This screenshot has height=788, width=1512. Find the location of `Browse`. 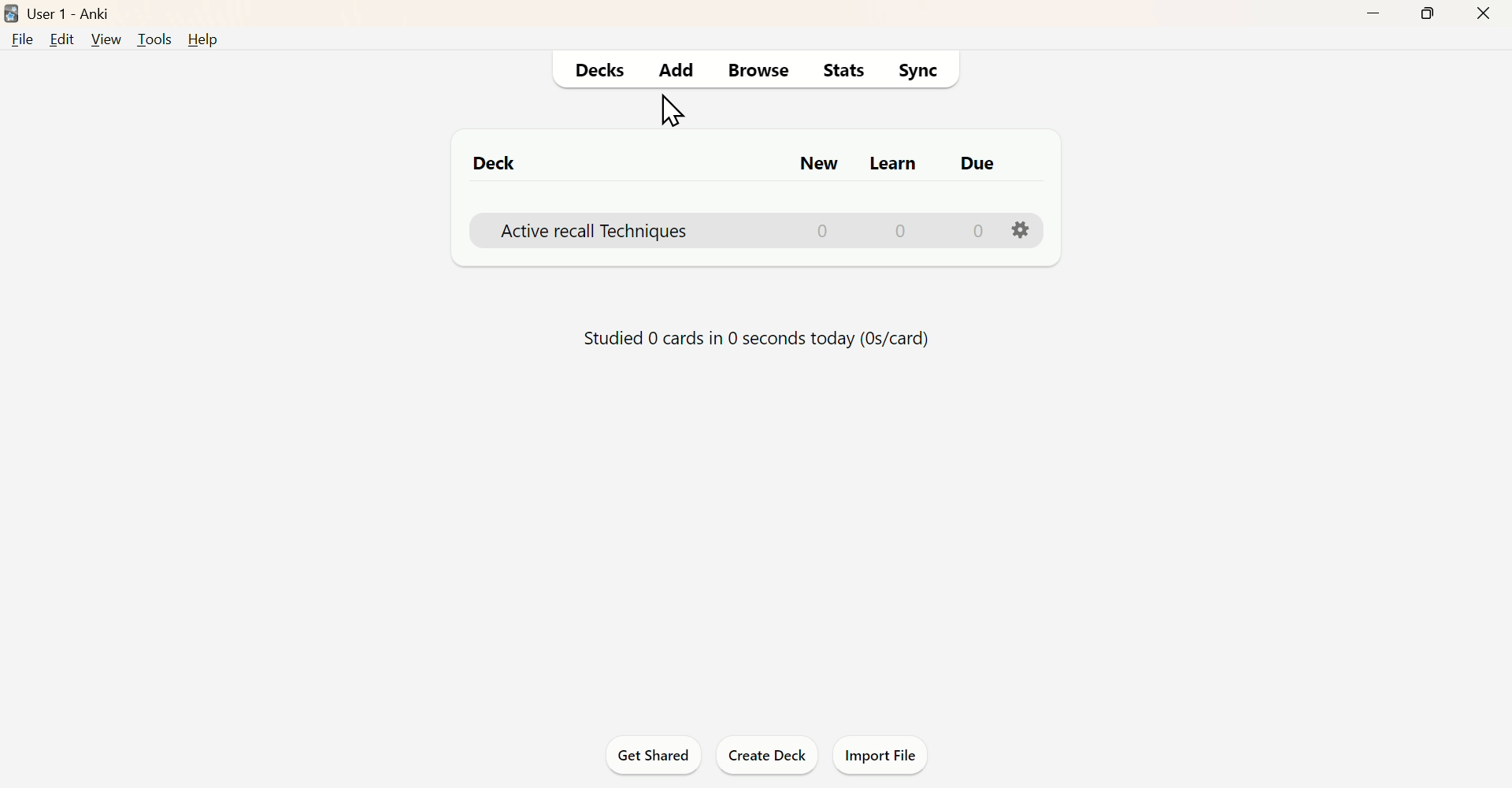

Browse is located at coordinates (761, 70).